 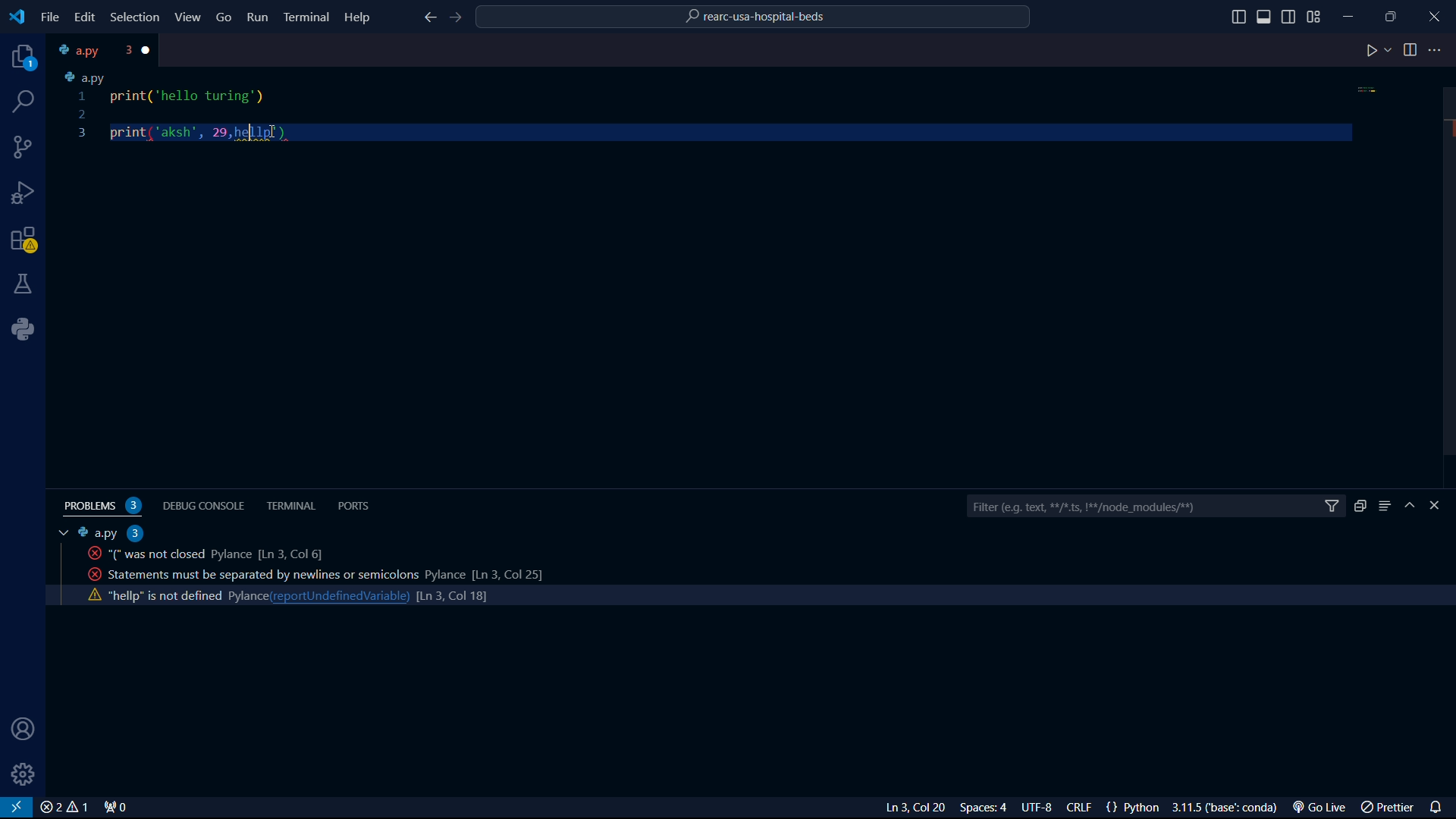 What do you see at coordinates (189, 17) in the screenshot?
I see `View` at bounding box center [189, 17].